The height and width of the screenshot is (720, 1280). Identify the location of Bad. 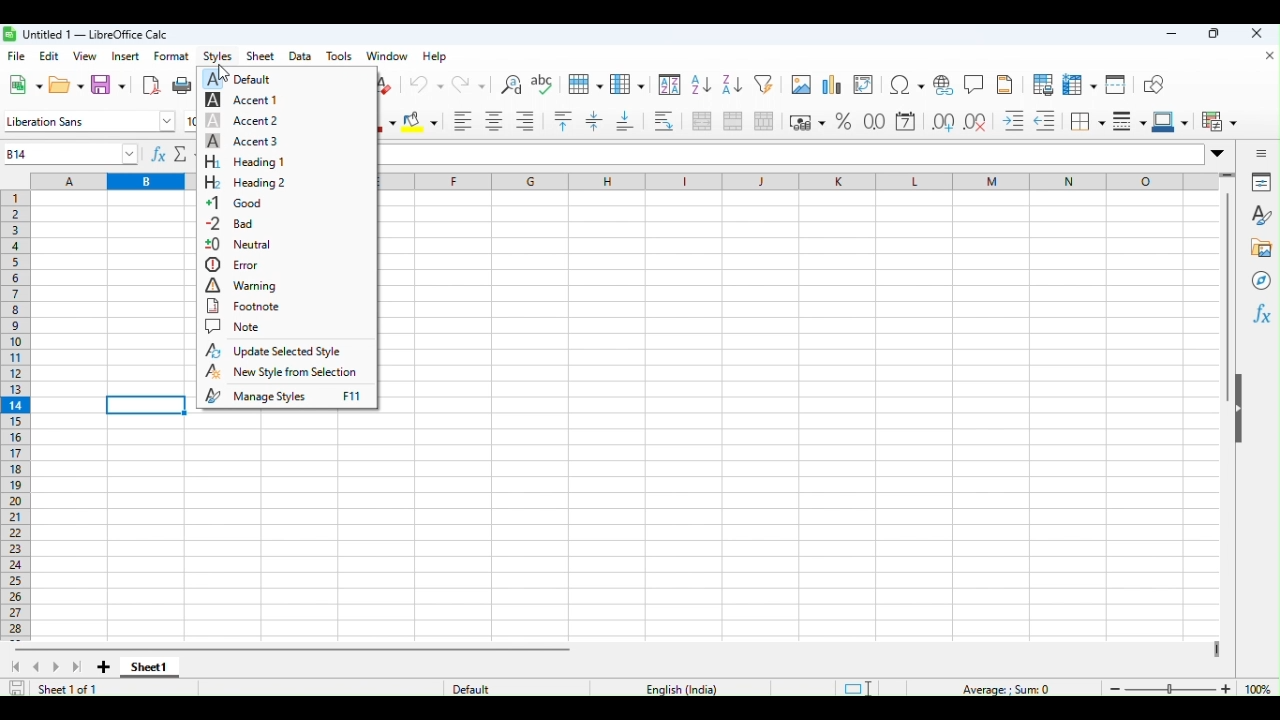
(239, 223).